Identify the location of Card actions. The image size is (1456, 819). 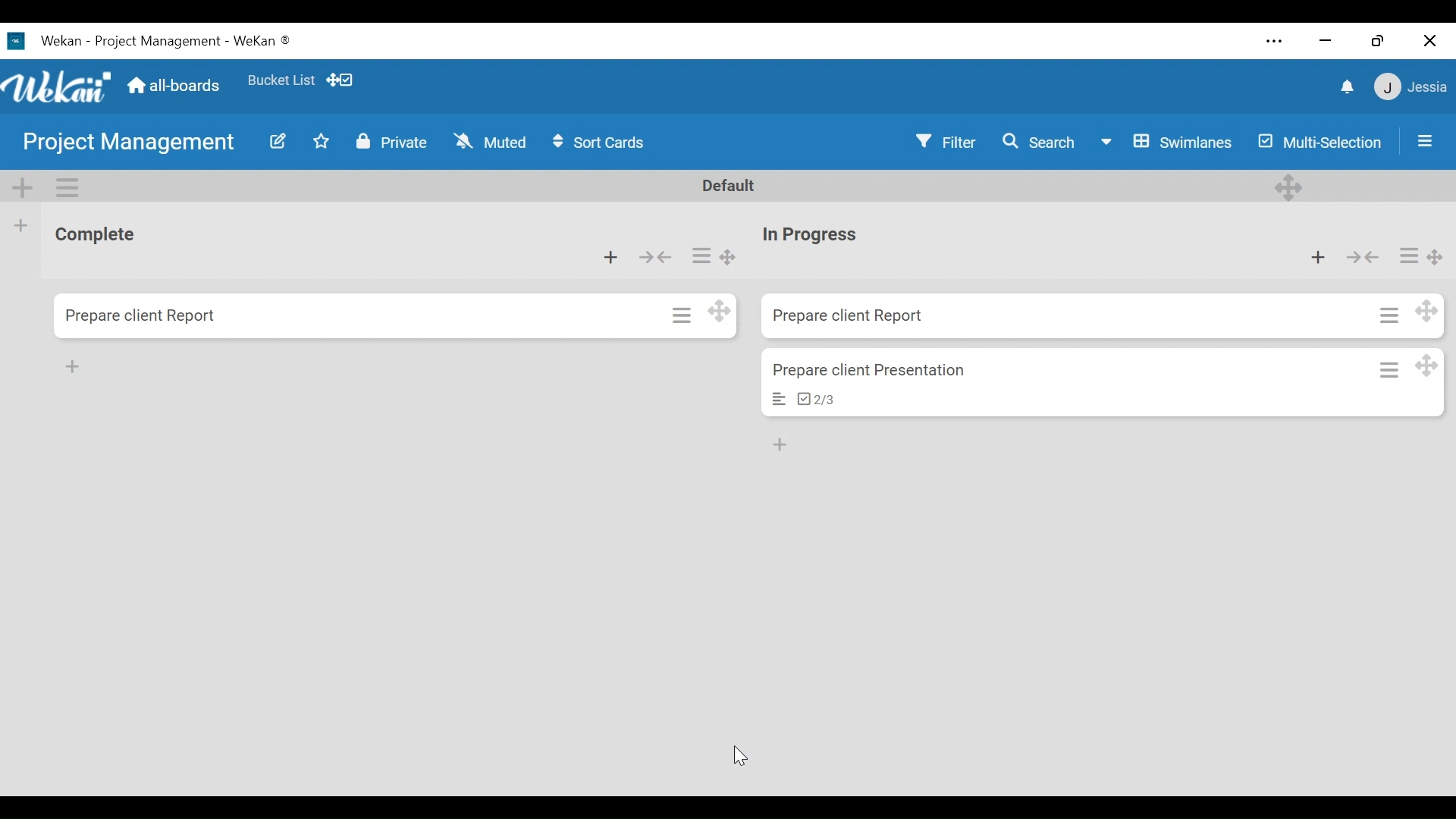
(1405, 256).